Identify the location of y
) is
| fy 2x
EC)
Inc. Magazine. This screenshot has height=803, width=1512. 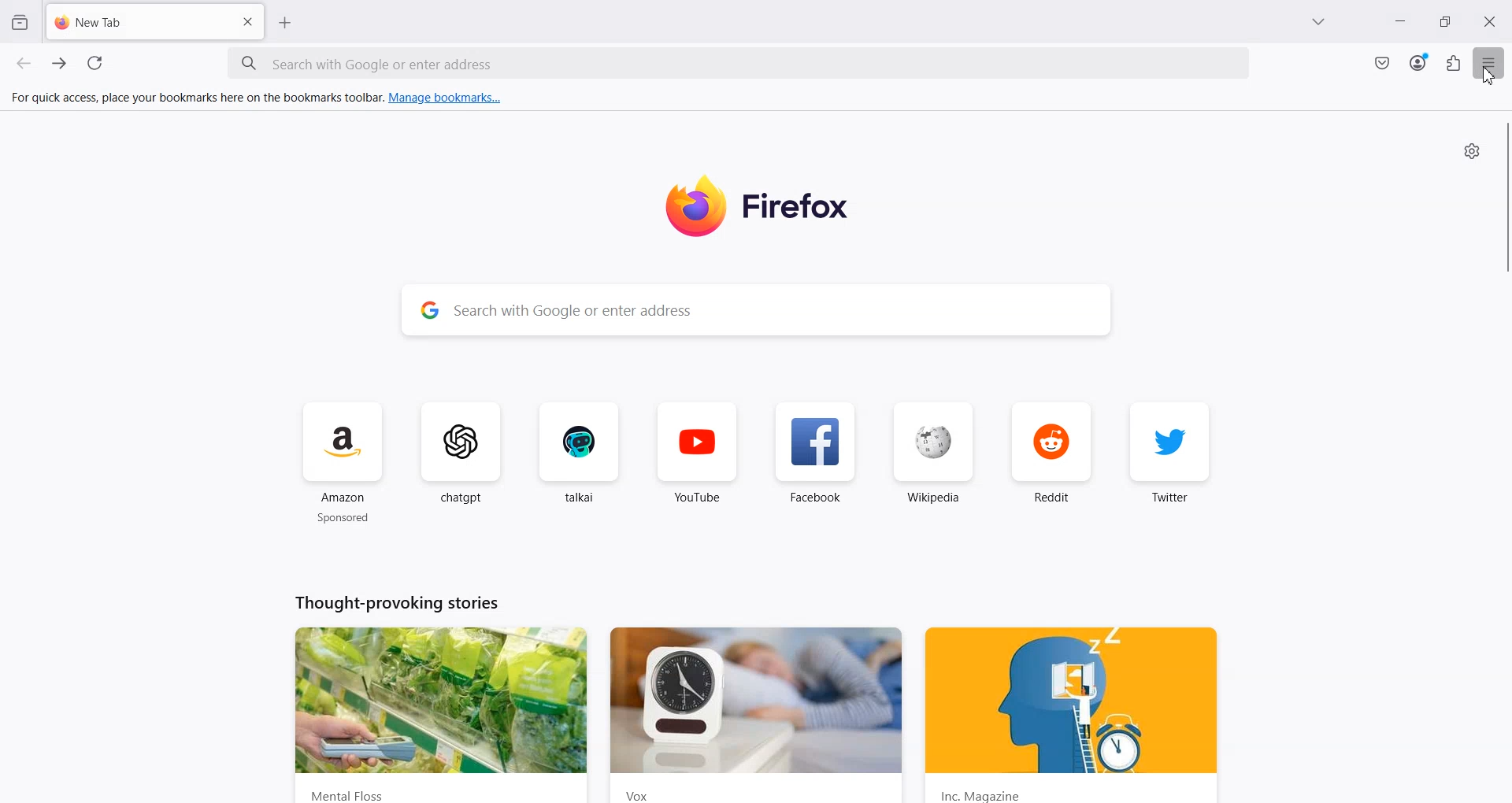
(1073, 713).